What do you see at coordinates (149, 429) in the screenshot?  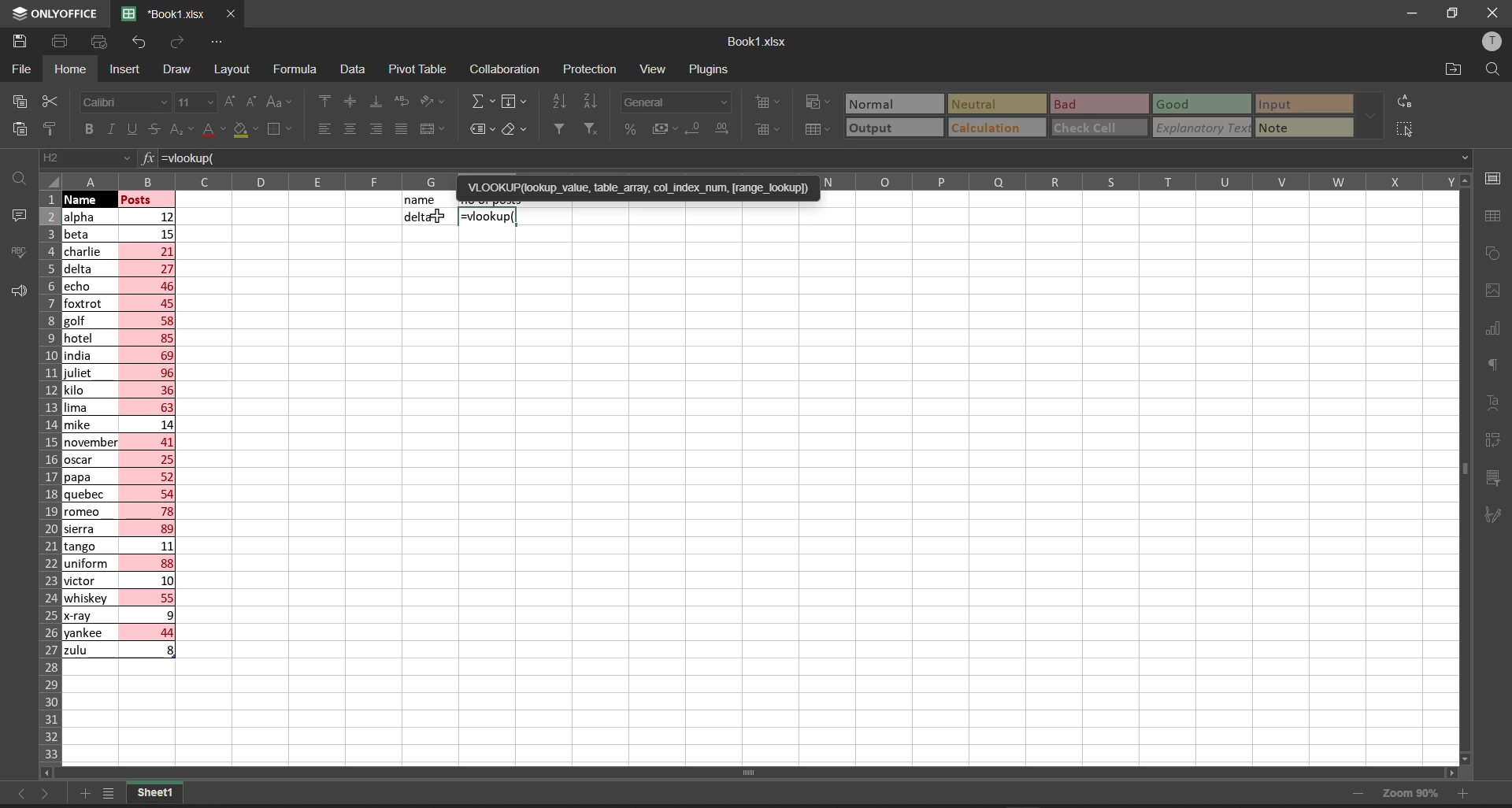 I see `posts` at bounding box center [149, 429].